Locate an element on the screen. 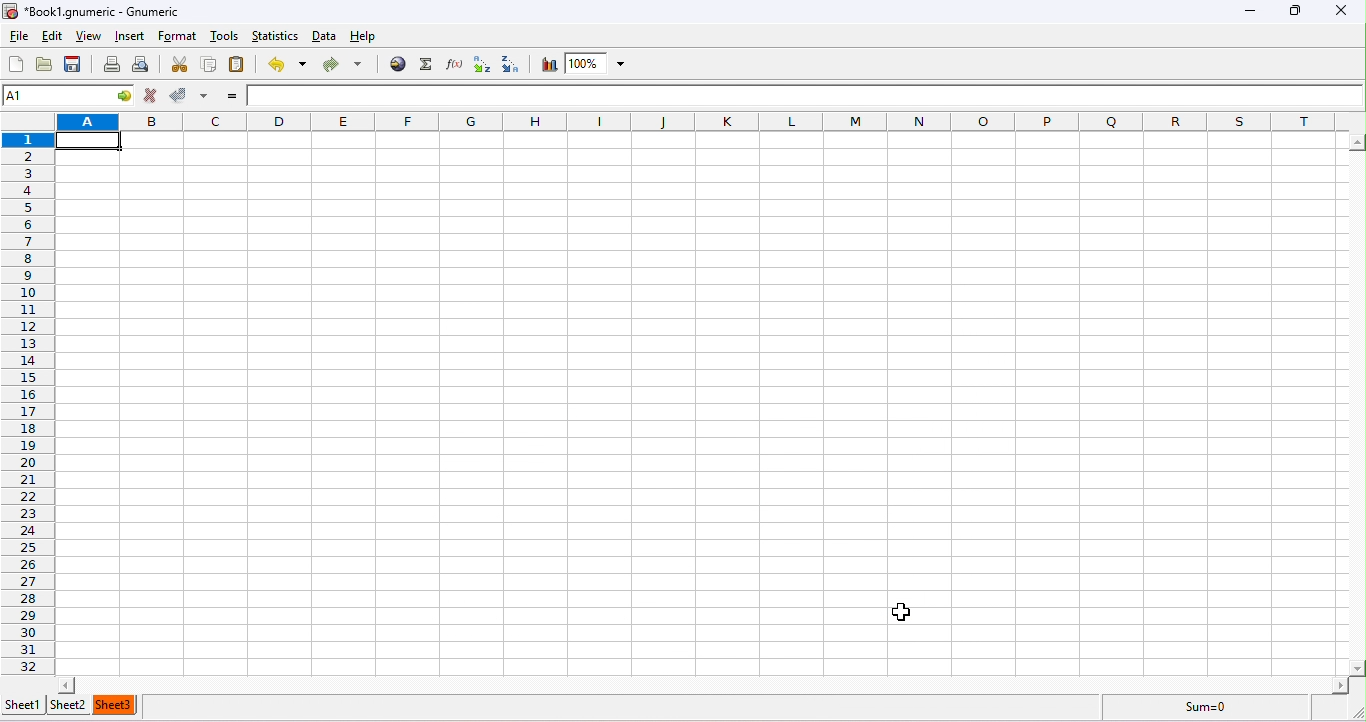 This screenshot has height=722, width=1366. sheet 2 is located at coordinates (72, 706).